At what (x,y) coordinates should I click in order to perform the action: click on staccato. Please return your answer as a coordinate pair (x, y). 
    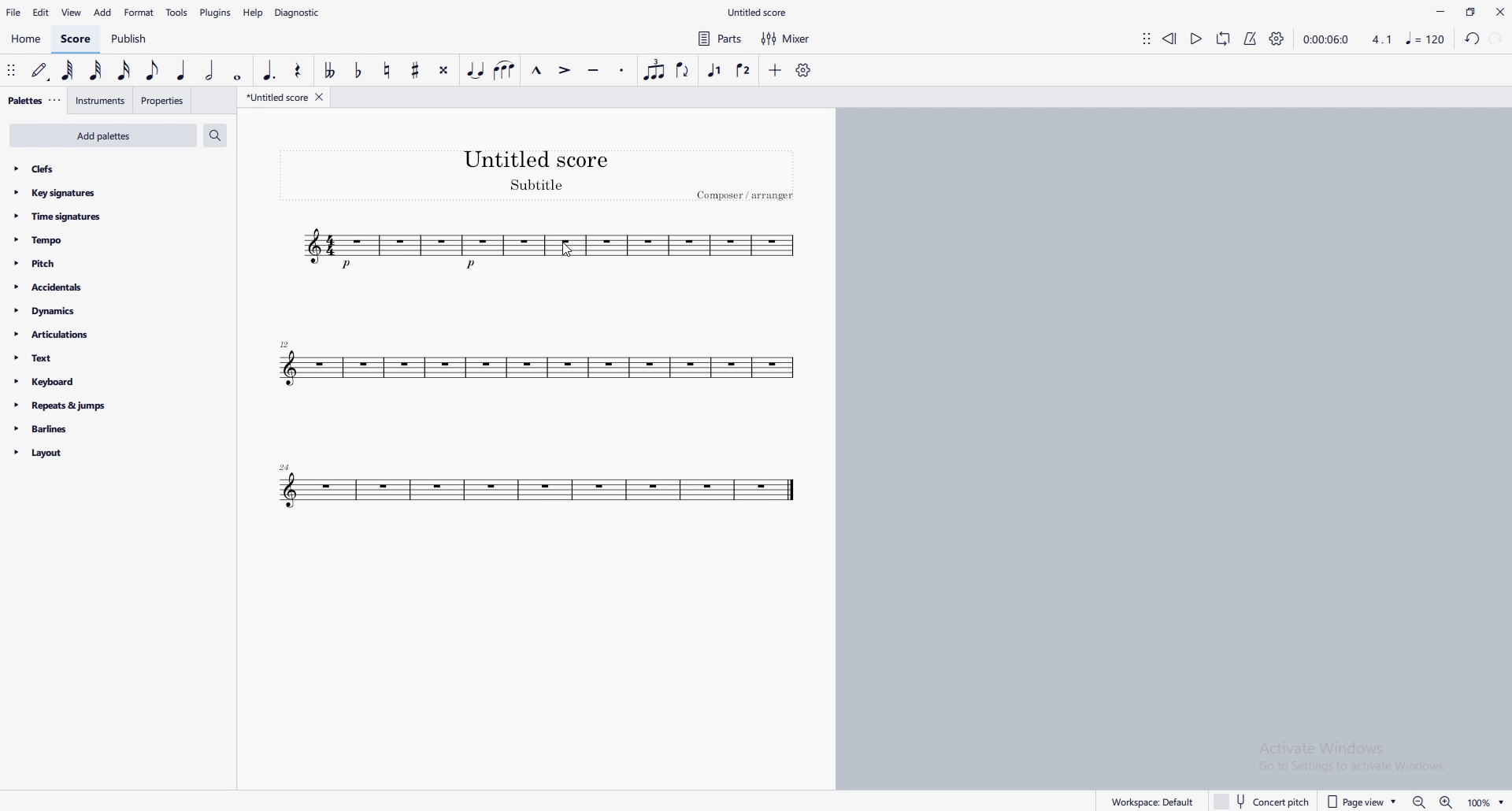
    Looking at the image, I should click on (621, 70).